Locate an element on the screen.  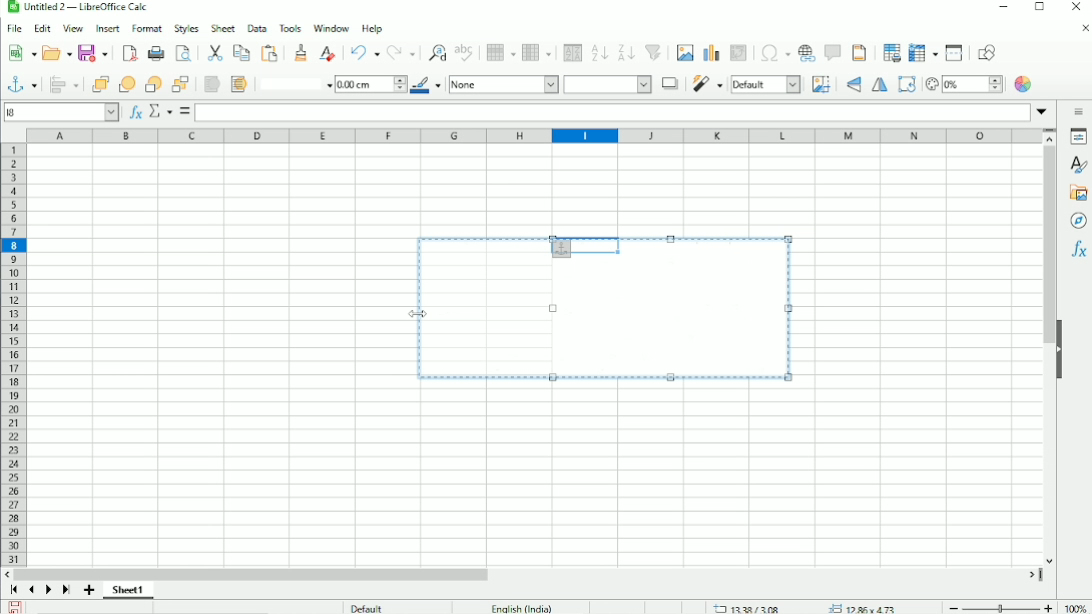
Add sheet is located at coordinates (90, 590).